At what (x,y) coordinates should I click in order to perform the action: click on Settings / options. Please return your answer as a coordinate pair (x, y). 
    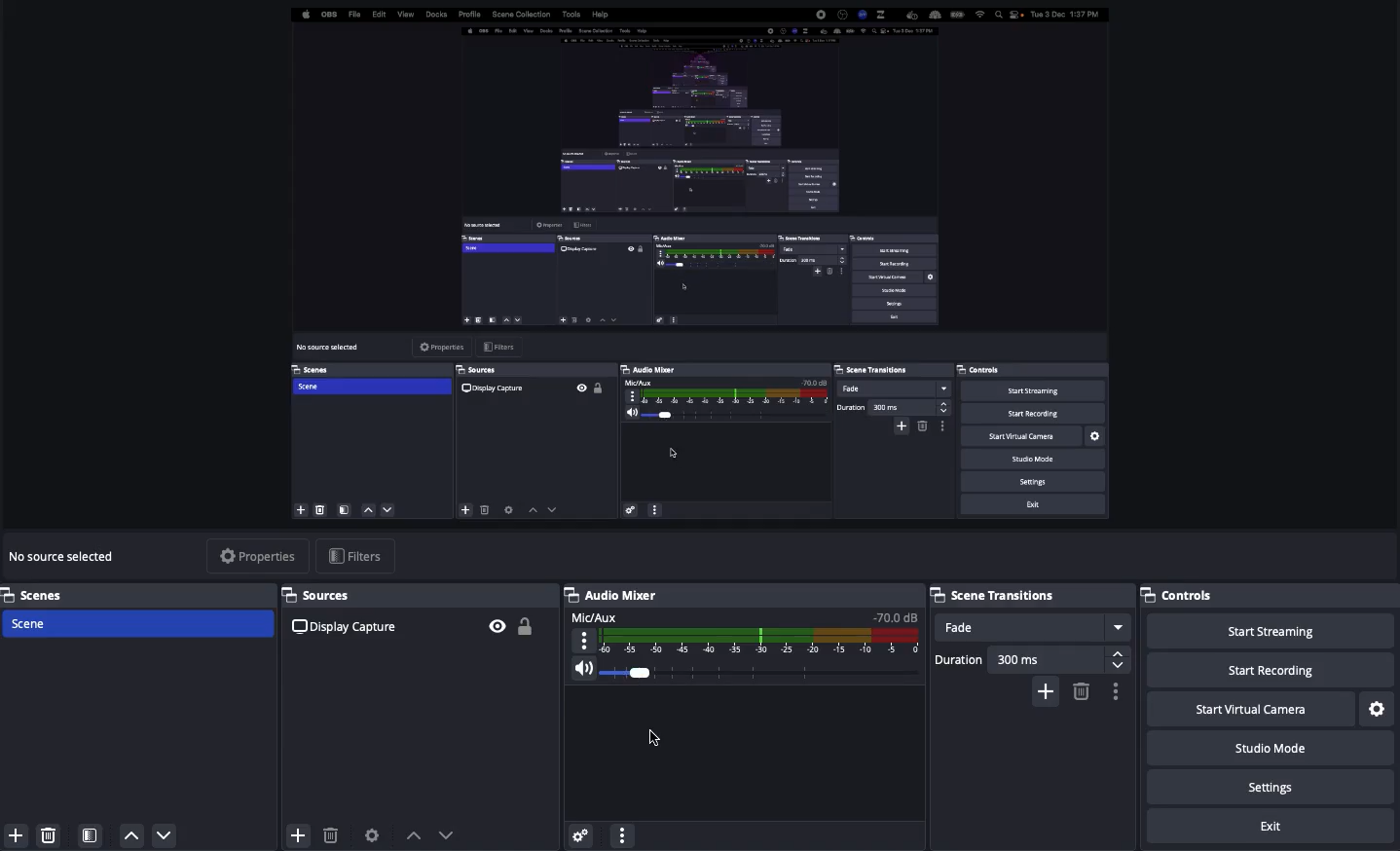
    Looking at the image, I should click on (1117, 692).